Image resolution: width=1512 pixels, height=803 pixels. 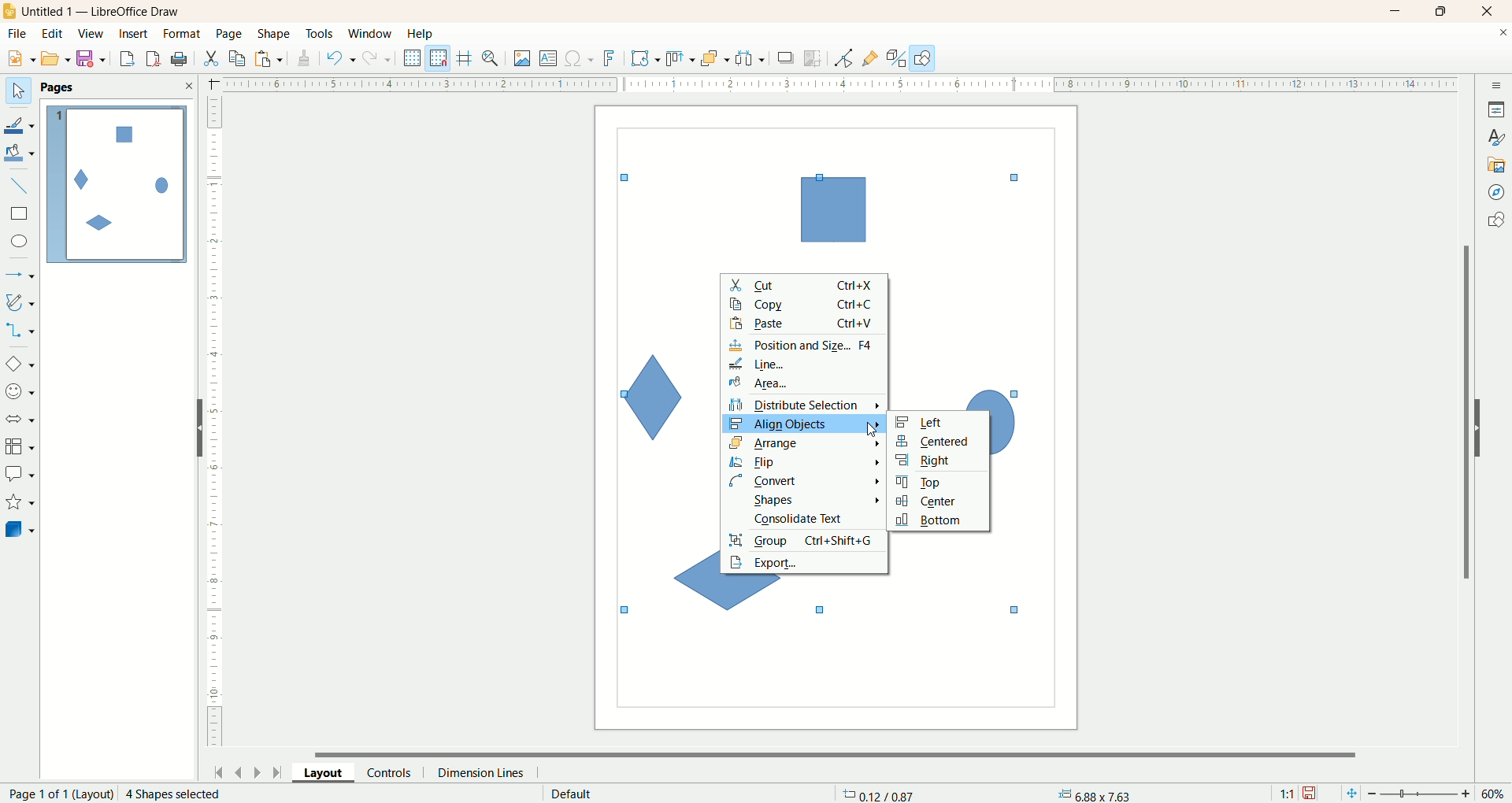 I want to click on zoom percent, so click(x=1495, y=794).